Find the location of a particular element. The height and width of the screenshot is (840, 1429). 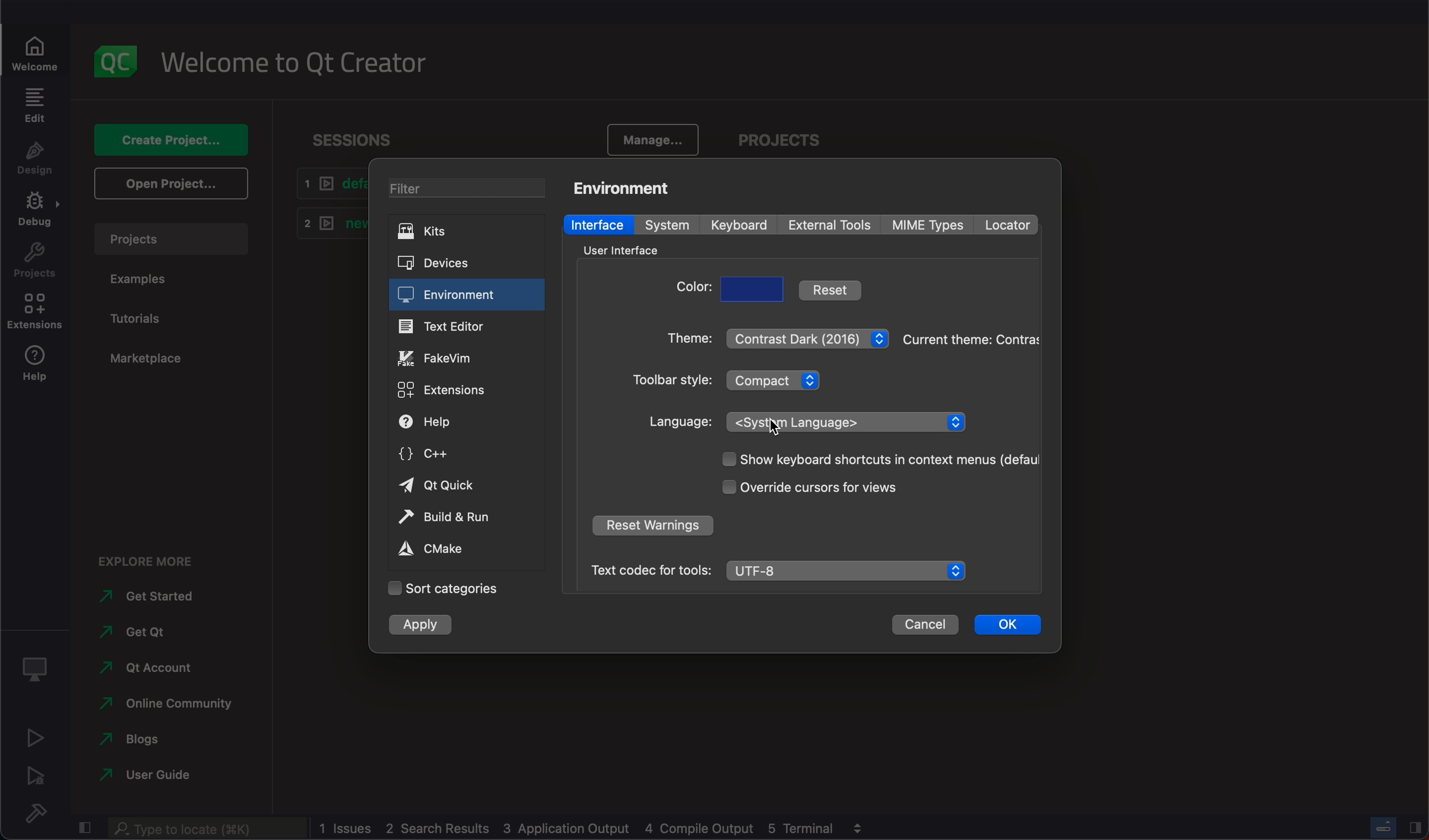

logo is located at coordinates (113, 59).